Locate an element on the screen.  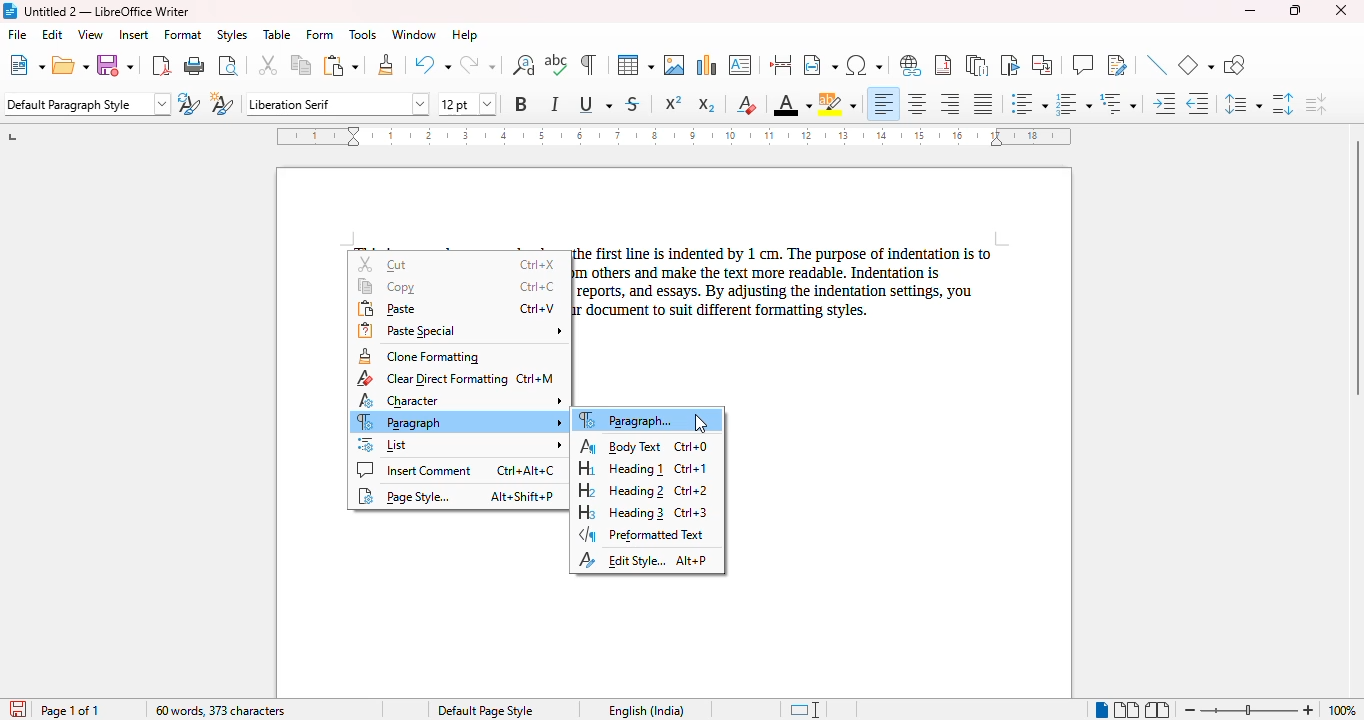
justified is located at coordinates (984, 103).